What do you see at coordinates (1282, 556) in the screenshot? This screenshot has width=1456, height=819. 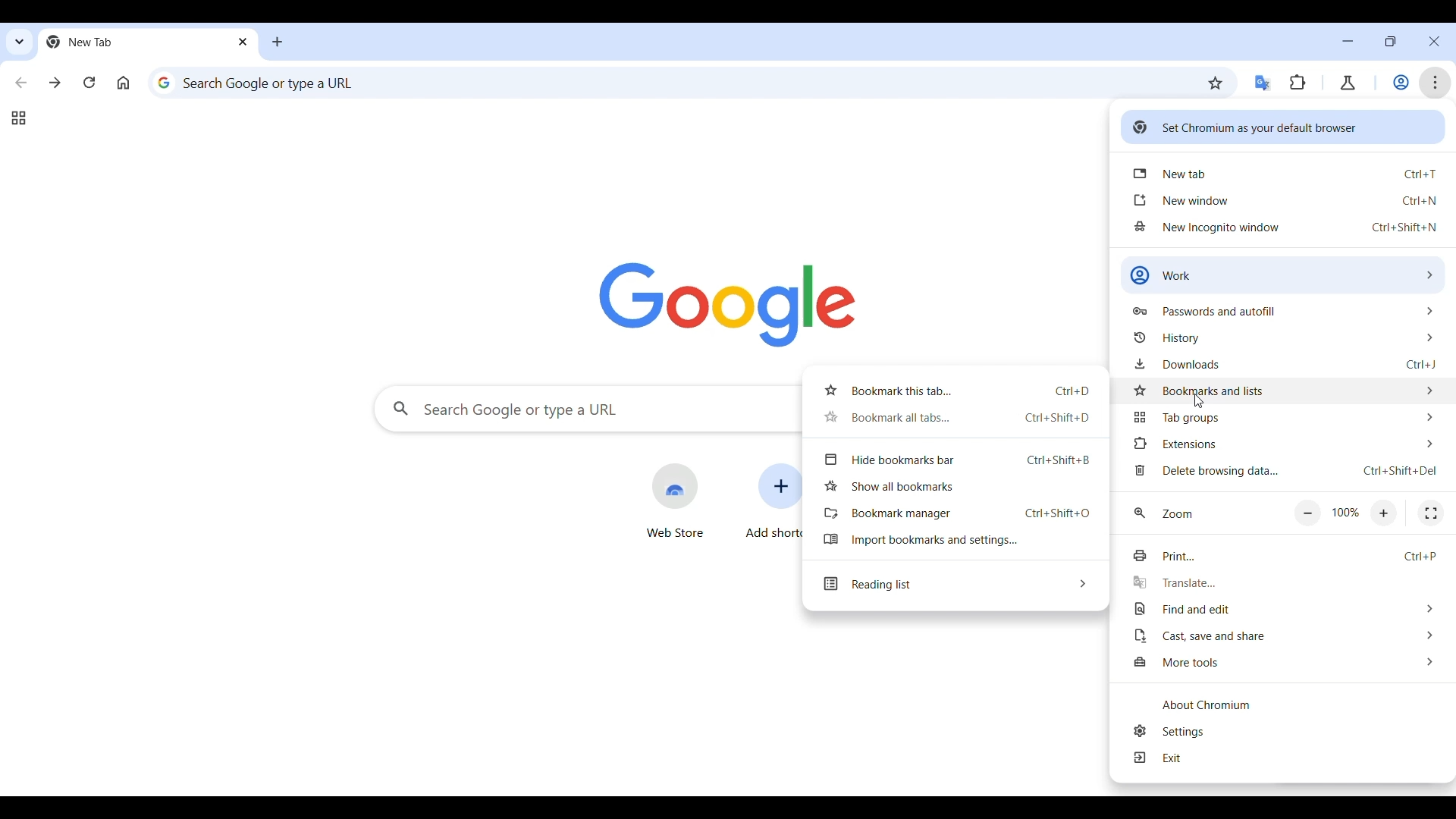 I see `Print` at bounding box center [1282, 556].